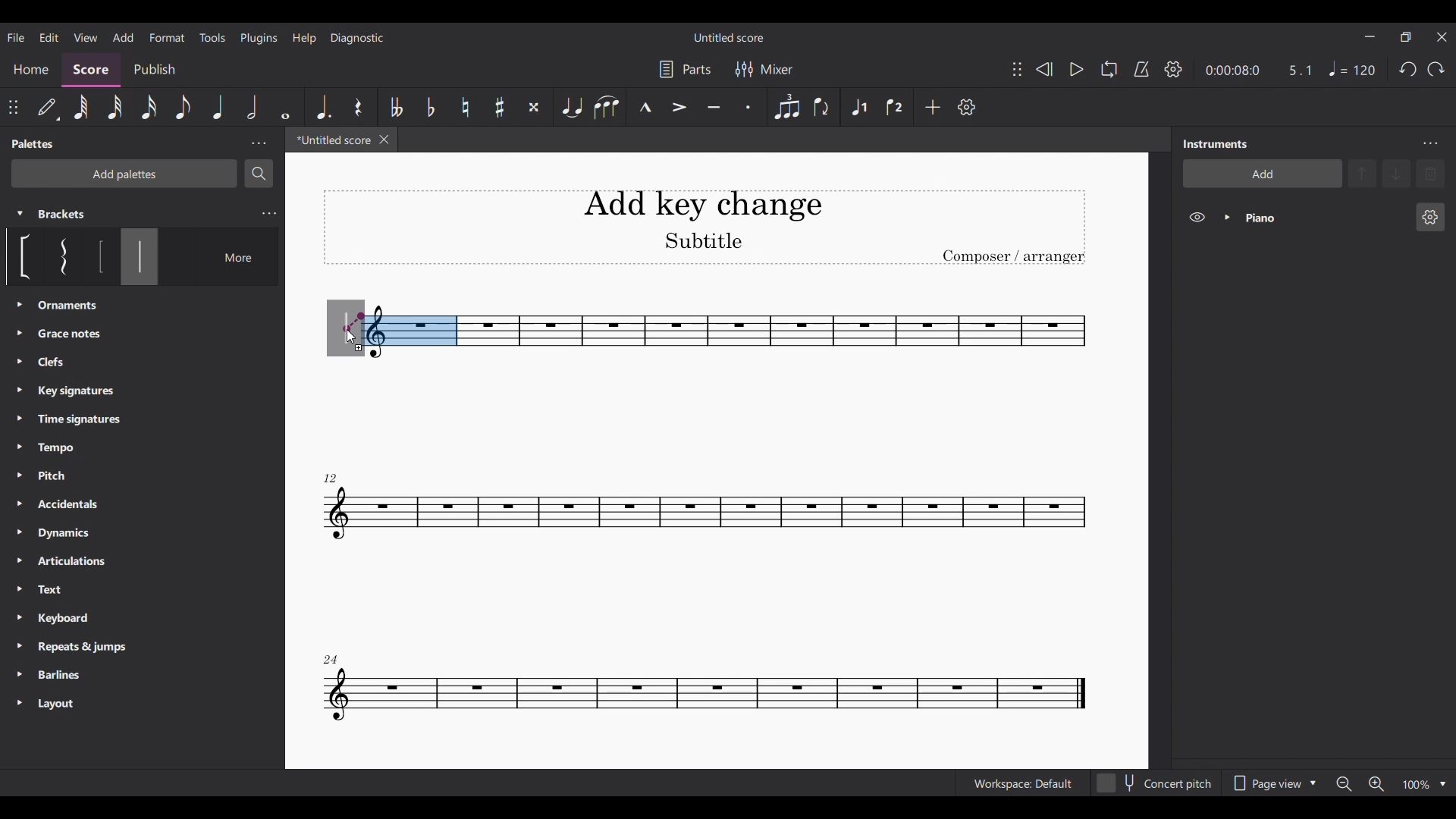 This screenshot has width=1456, height=819. What do you see at coordinates (77, 505) in the screenshot?
I see `Other palette options` at bounding box center [77, 505].